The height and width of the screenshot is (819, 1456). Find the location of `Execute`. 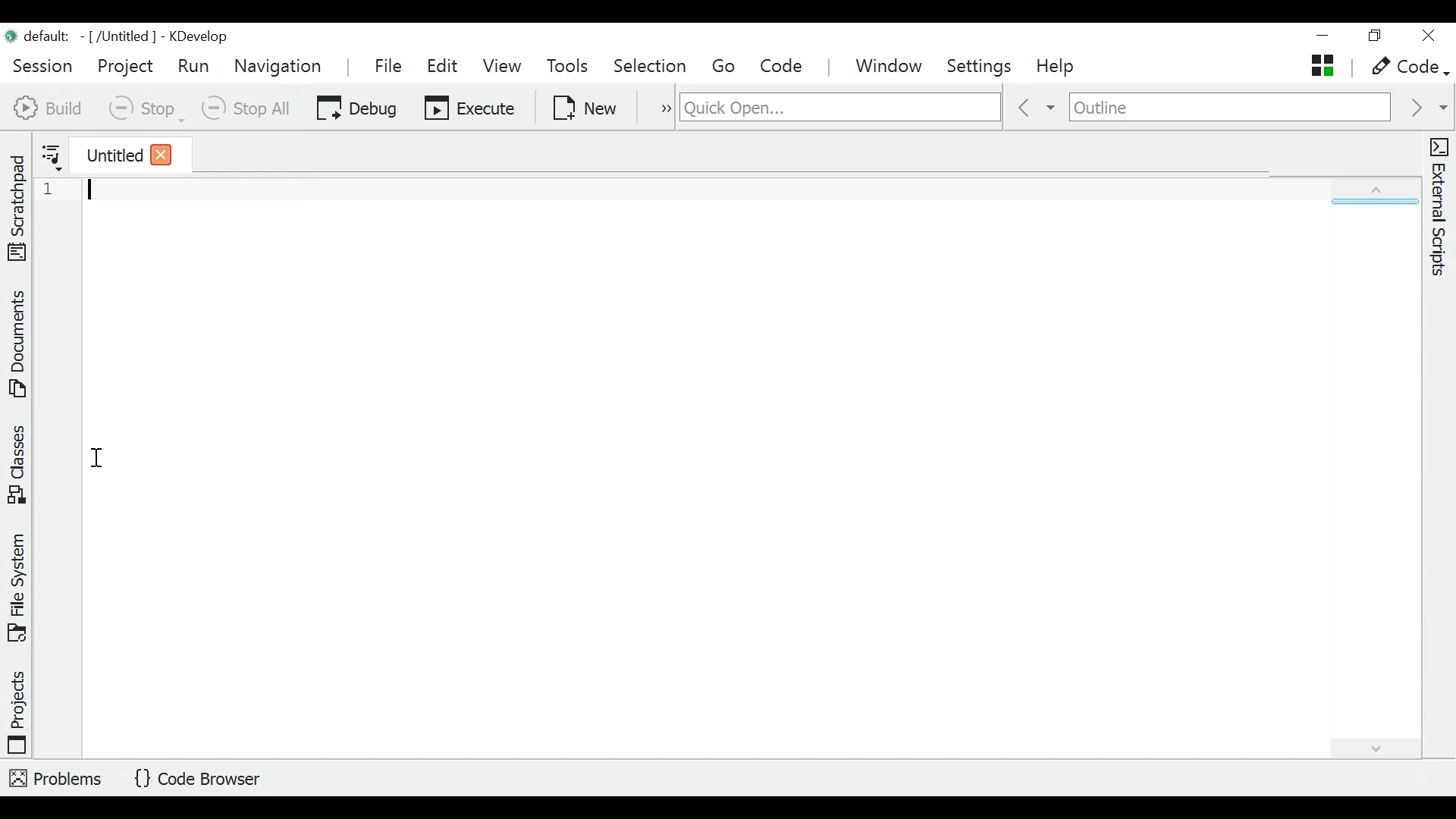

Execute is located at coordinates (471, 108).